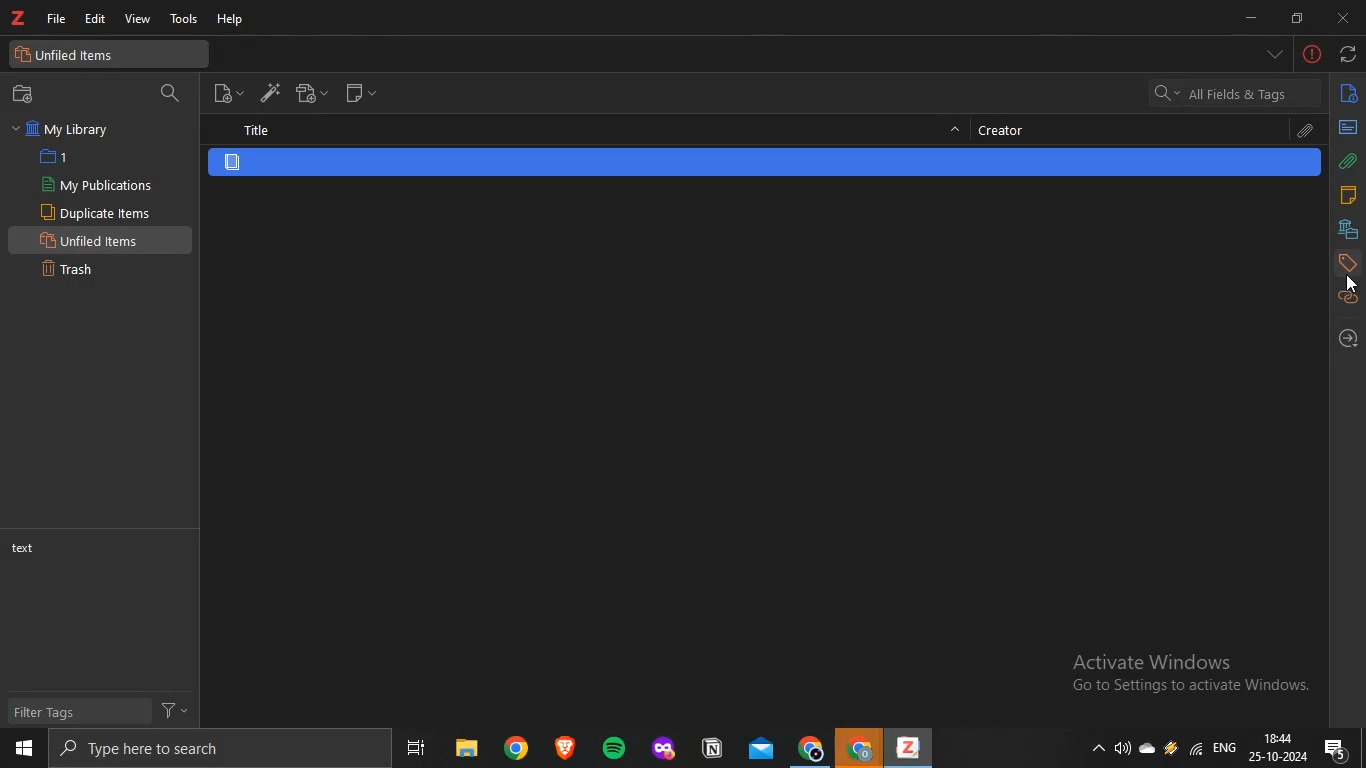 The image size is (1366, 768). I want to click on app, so click(913, 748).